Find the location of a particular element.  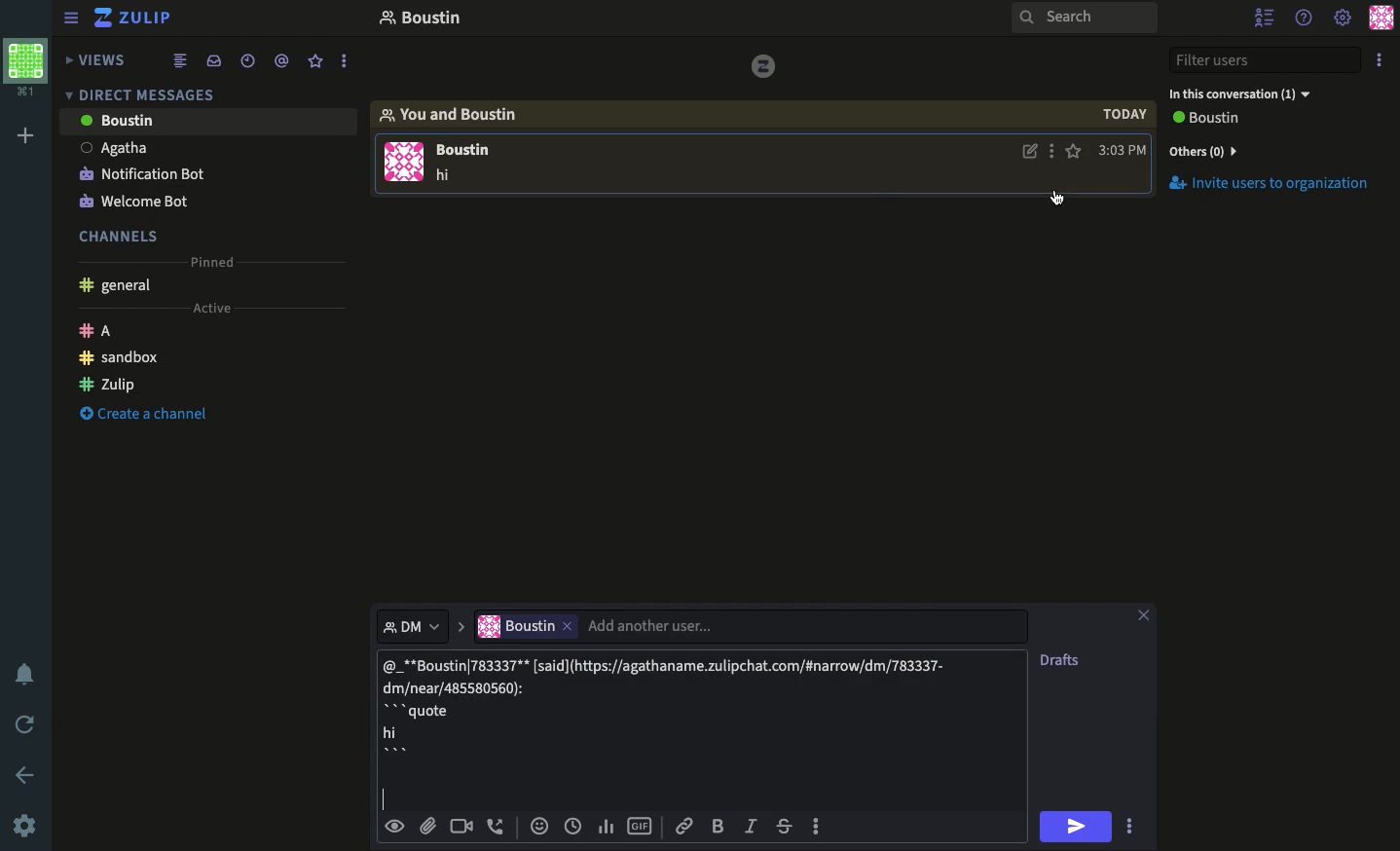

Thread dropdown is located at coordinates (406, 624).